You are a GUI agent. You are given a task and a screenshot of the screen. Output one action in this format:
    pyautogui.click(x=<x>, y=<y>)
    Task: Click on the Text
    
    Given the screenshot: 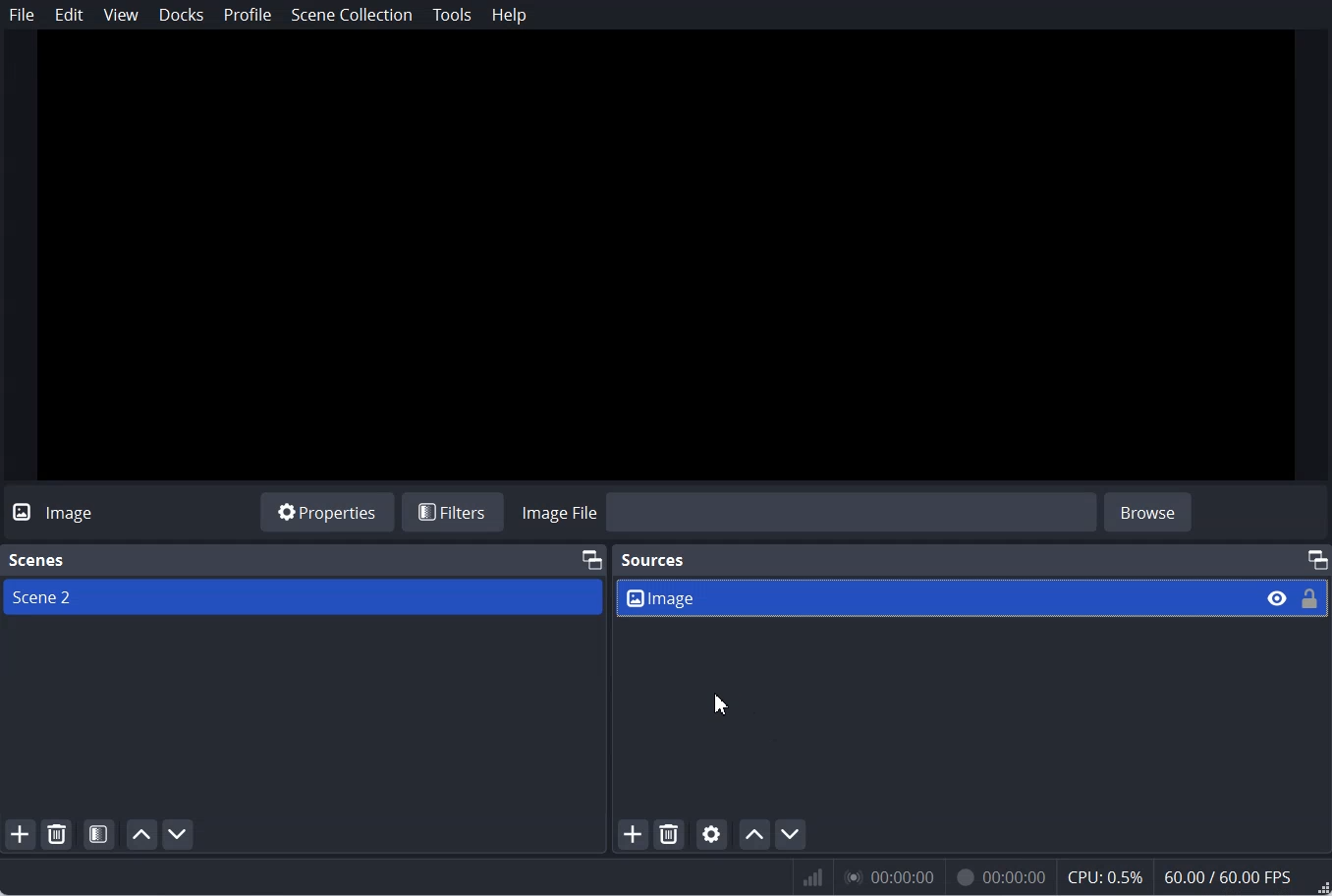 What is the action you would take?
    pyautogui.click(x=84, y=512)
    